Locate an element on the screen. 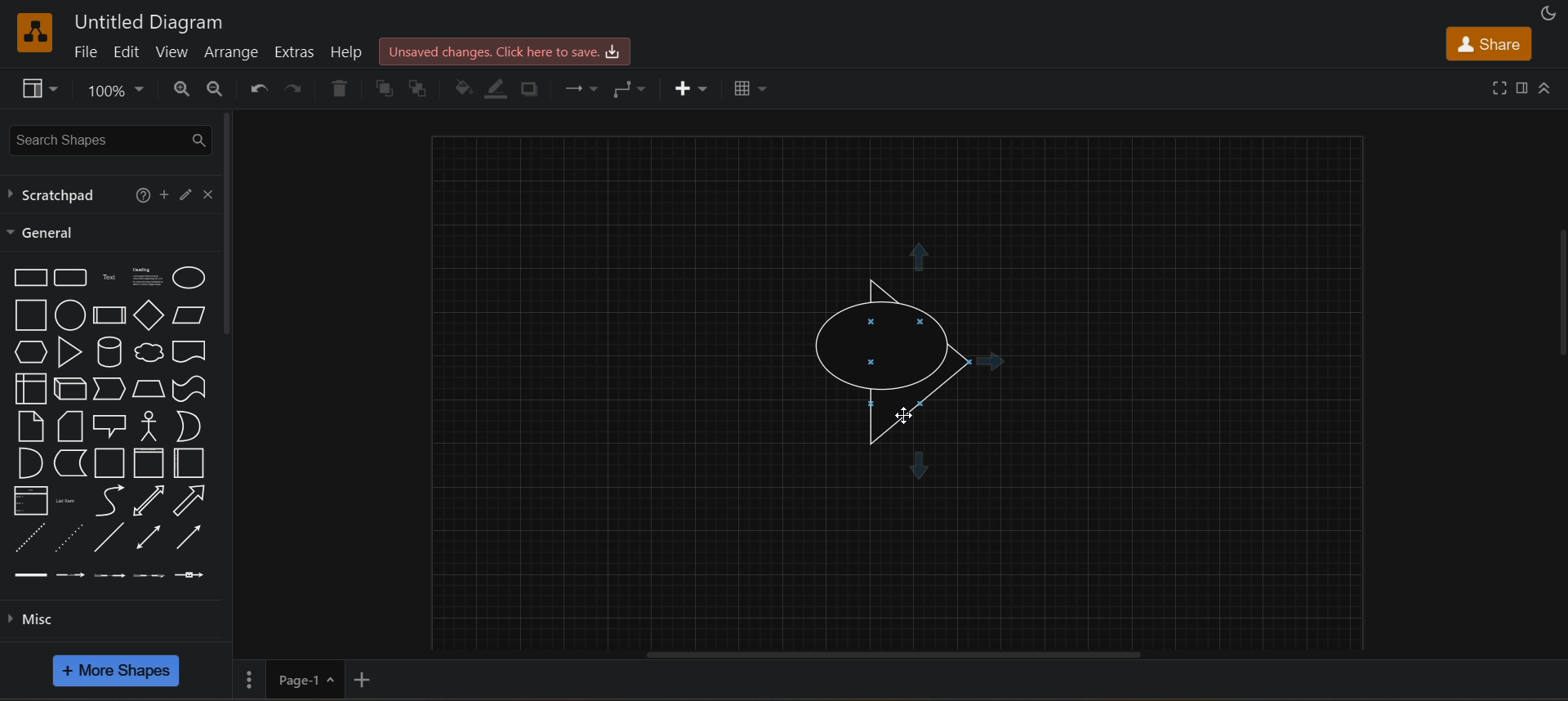 The image size is (1568, 701). connector with symbol is located at coordinates (191, 574).